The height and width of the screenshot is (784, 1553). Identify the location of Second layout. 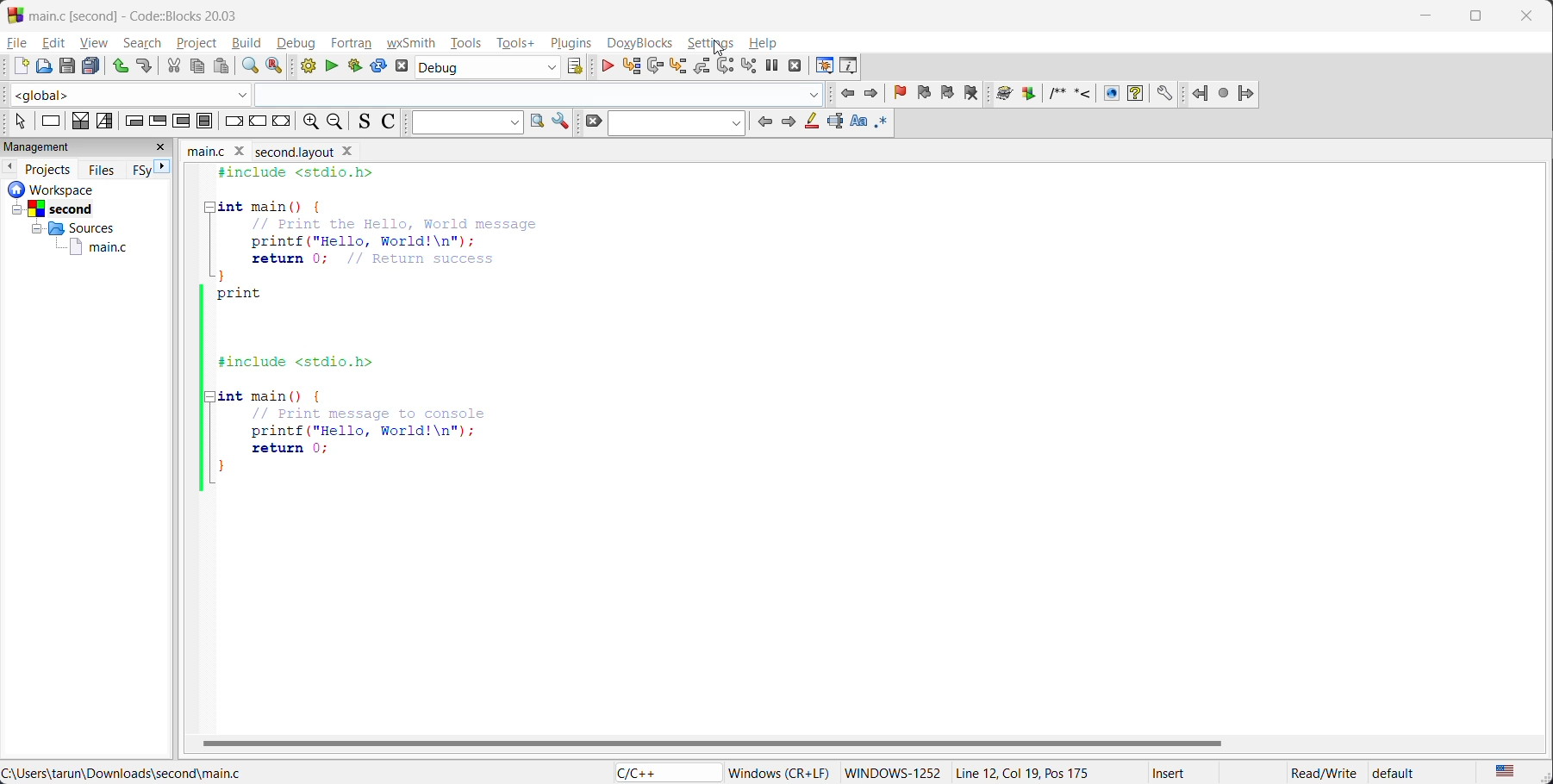
(305, 150).